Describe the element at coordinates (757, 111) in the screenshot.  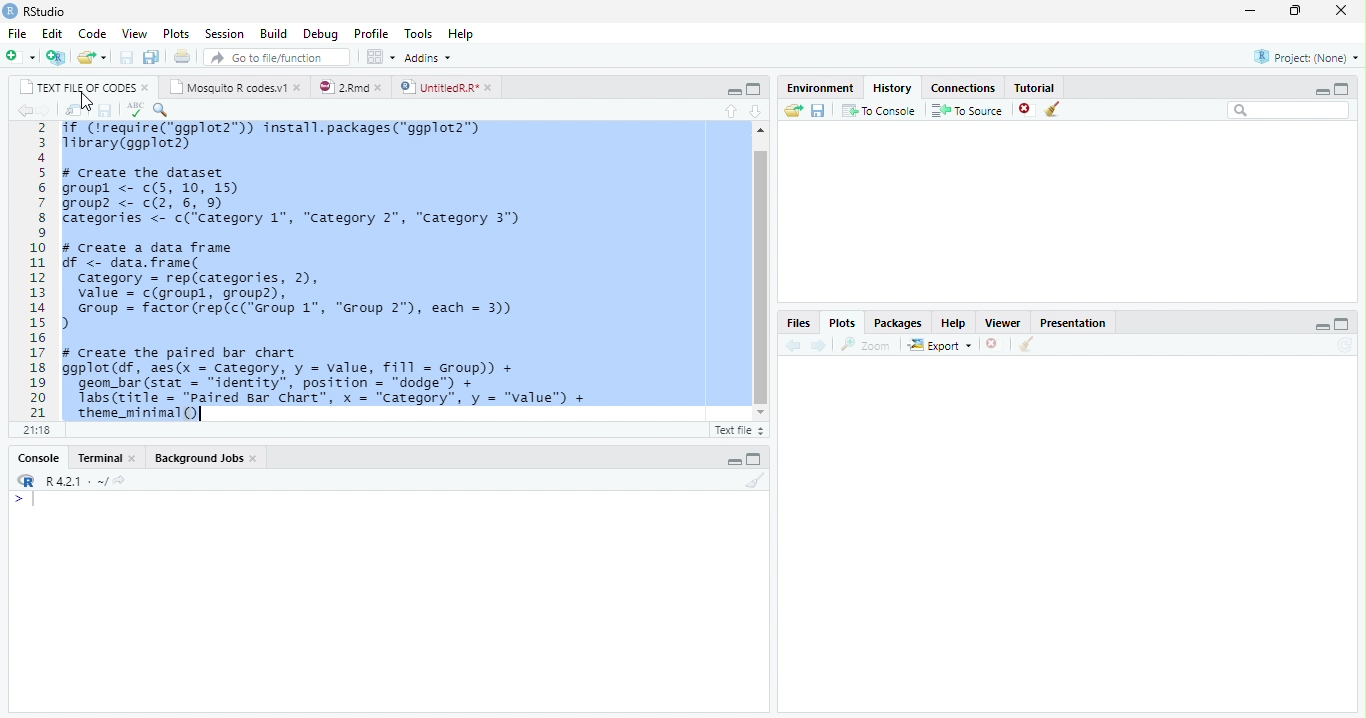
I see `go to next section` at that location.